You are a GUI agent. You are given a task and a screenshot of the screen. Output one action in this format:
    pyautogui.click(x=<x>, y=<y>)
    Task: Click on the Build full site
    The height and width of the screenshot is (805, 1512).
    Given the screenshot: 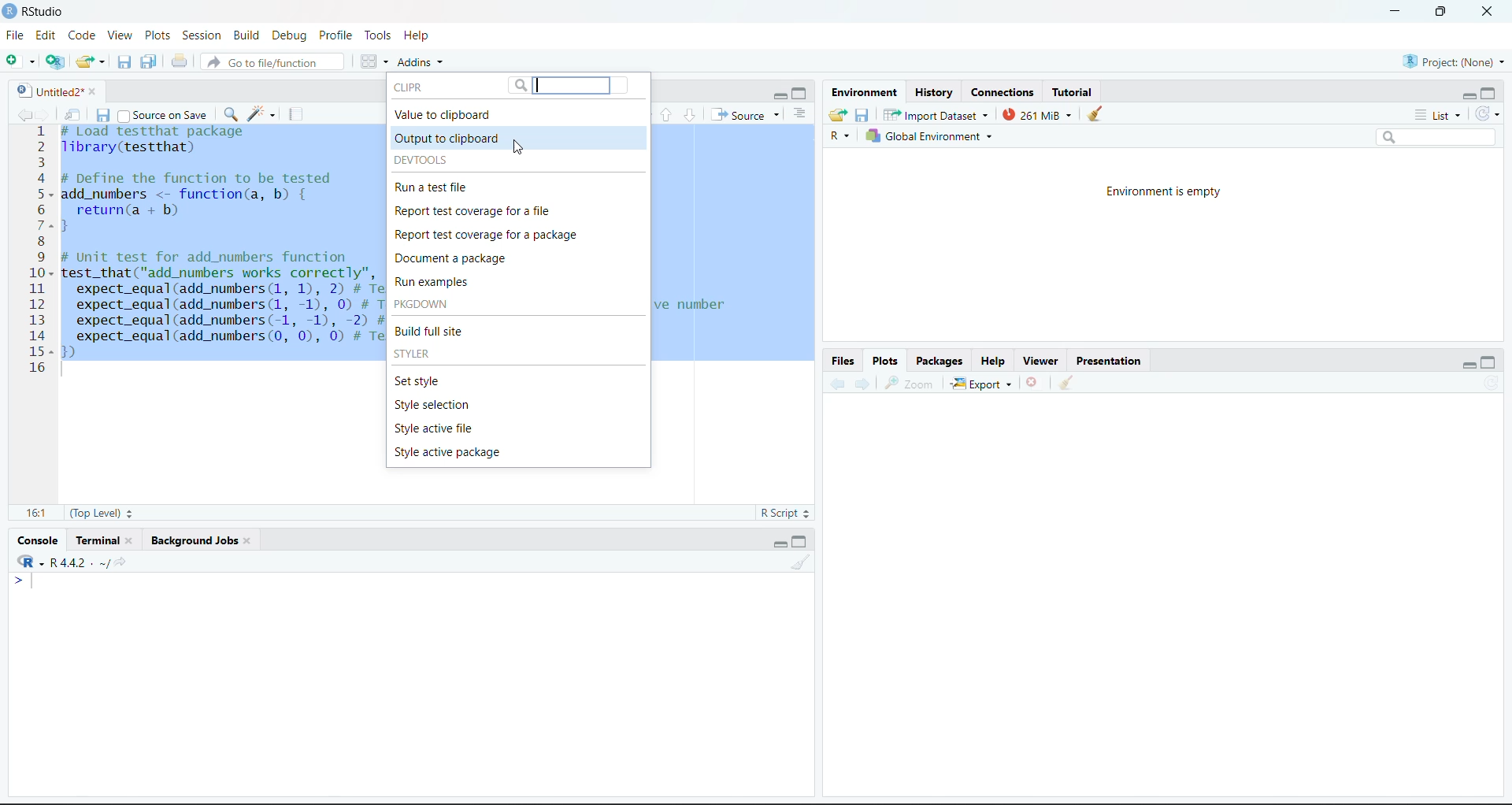 What is the action you would take?
    pyautogui.click(x=429, y=332)
    